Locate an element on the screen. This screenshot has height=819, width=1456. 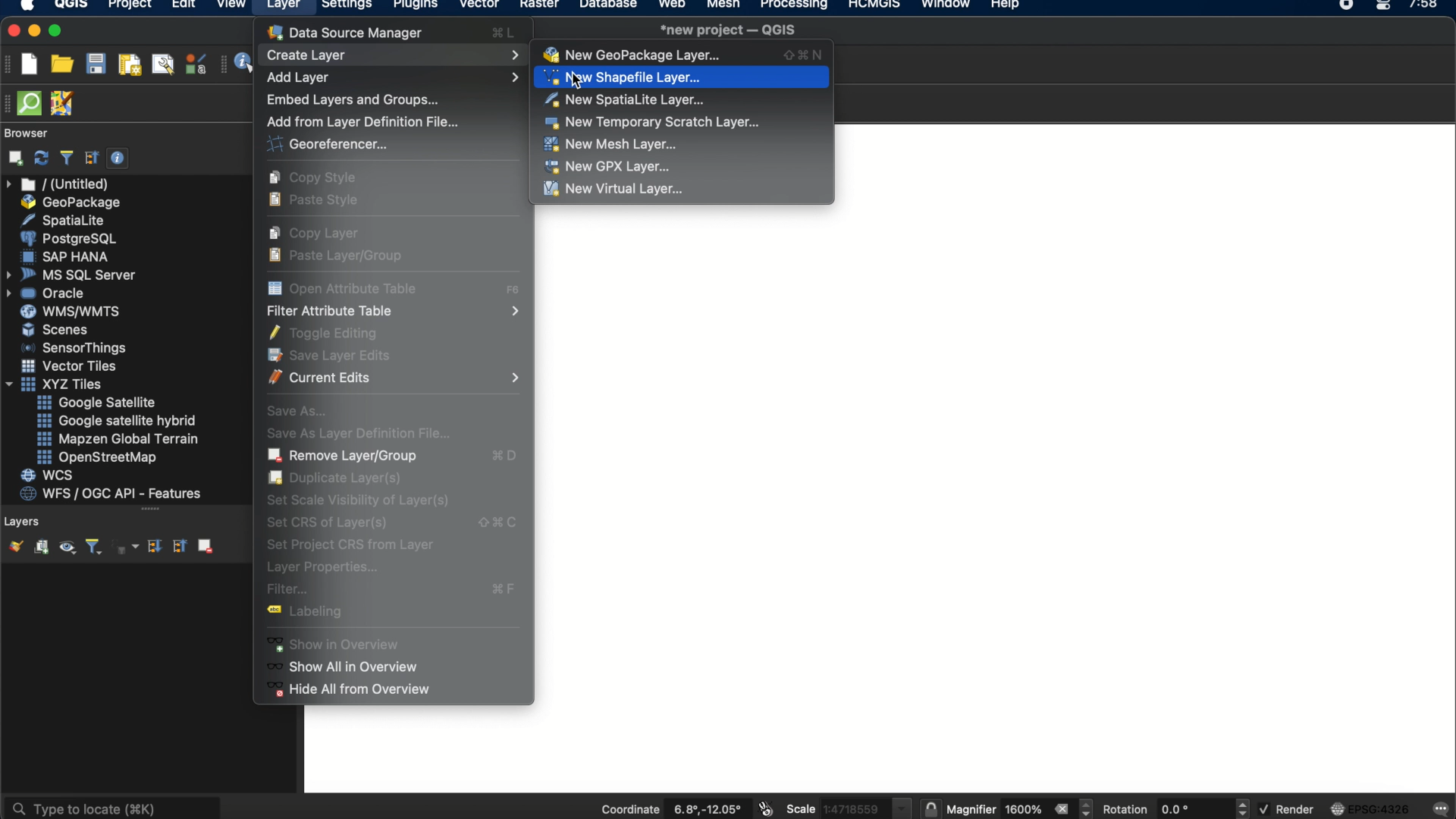
view is located at coordinates (231, 6).